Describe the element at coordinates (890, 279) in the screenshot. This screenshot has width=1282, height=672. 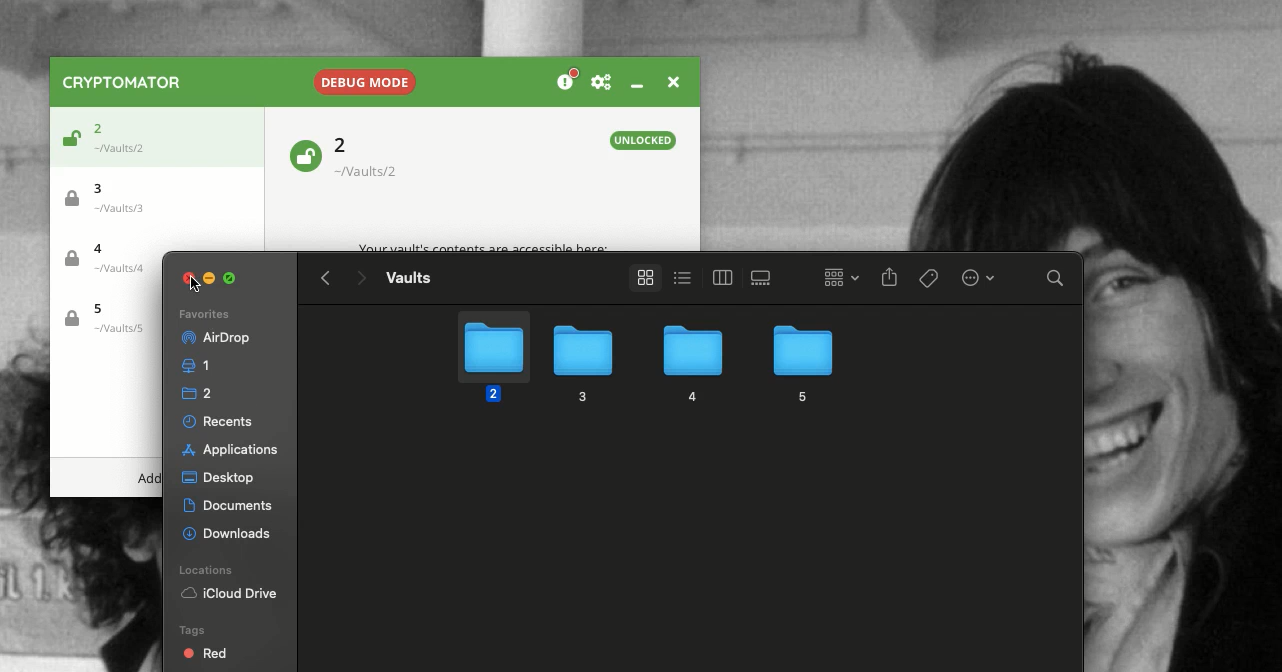
I see `Share` at that location.